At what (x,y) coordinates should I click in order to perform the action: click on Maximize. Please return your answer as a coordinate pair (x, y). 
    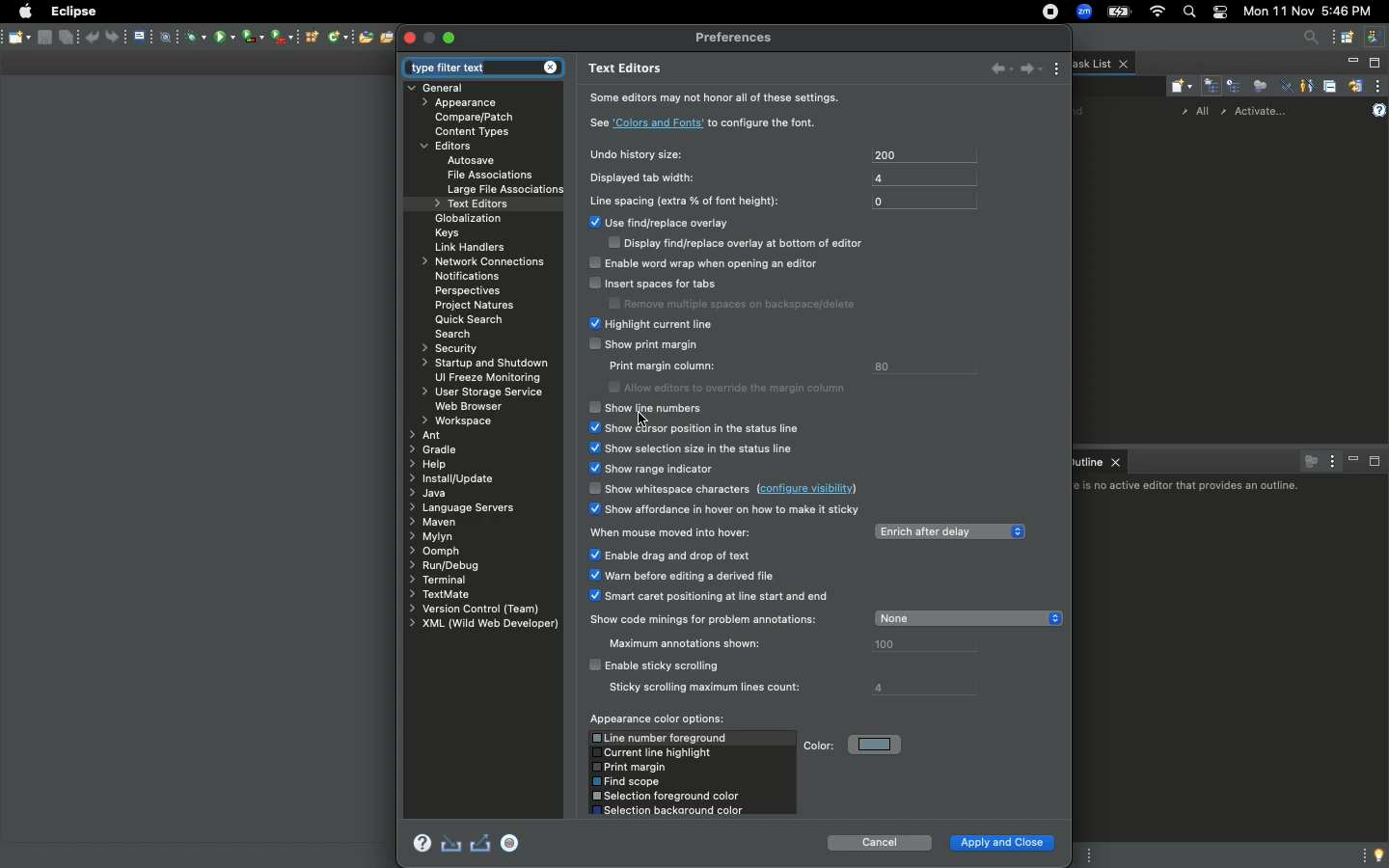
    Looking at the image, I should click on (451, 36).